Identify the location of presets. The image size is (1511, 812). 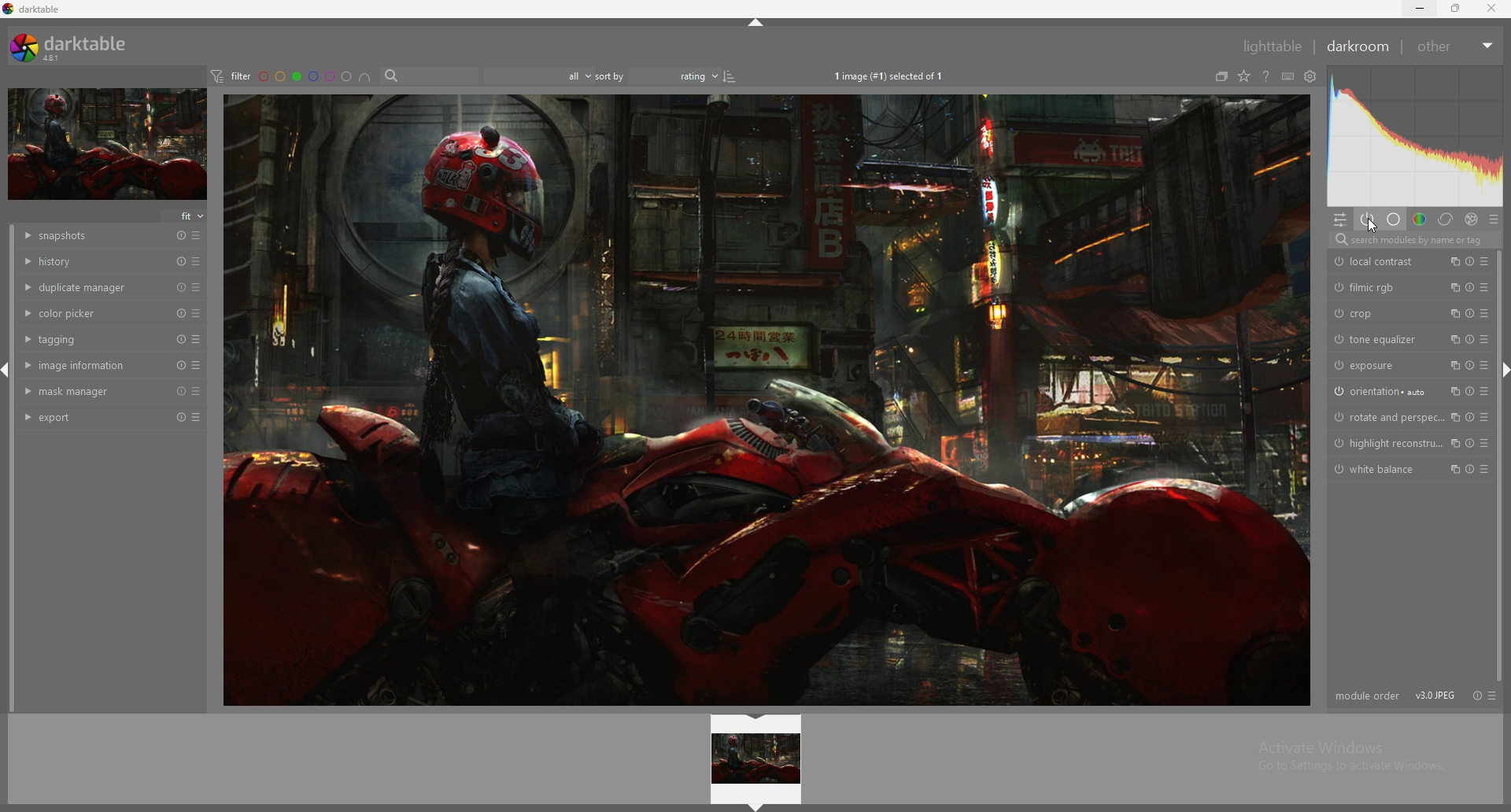
(197, 365).